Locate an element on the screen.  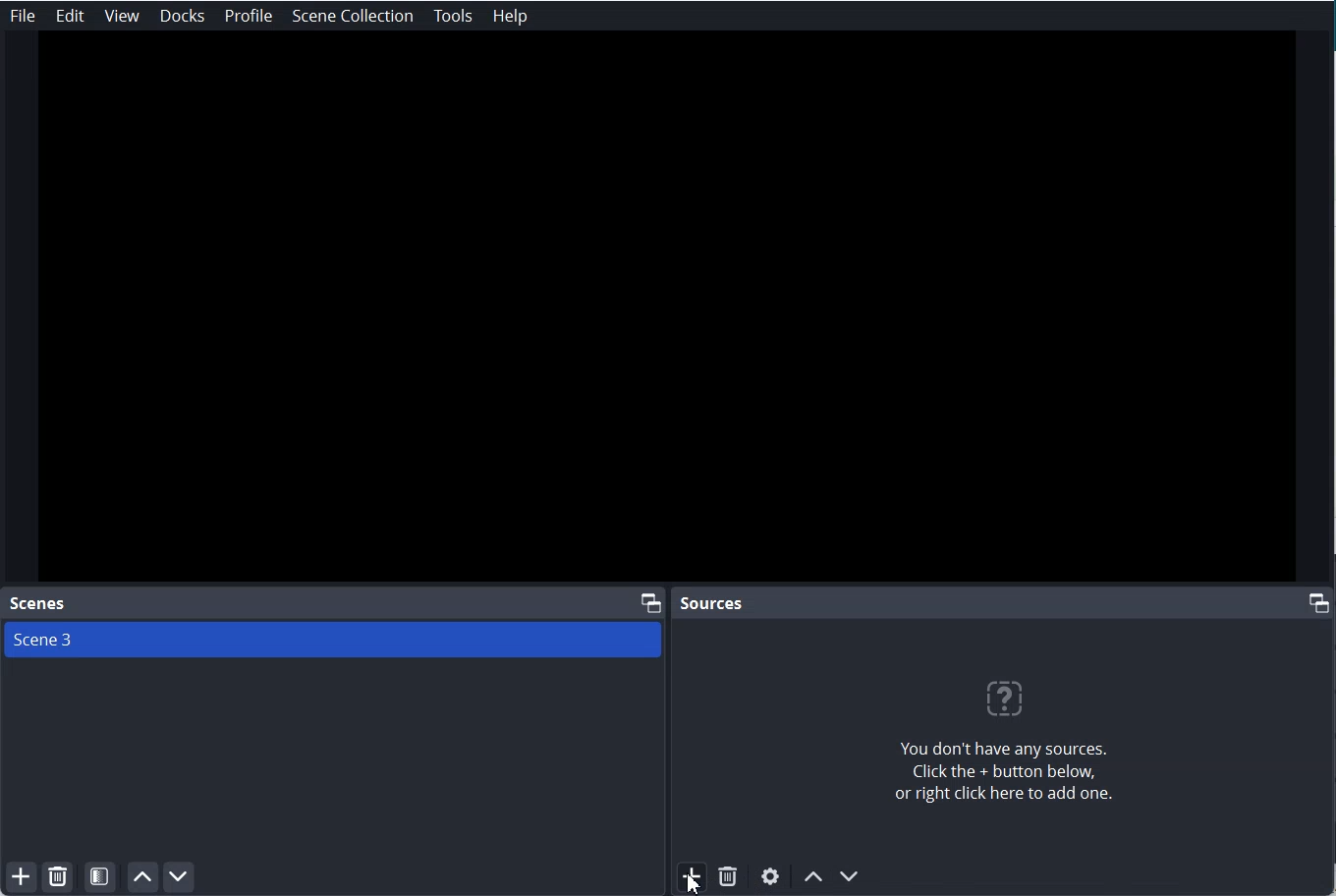
Profile is located at coordinates (250, 17).